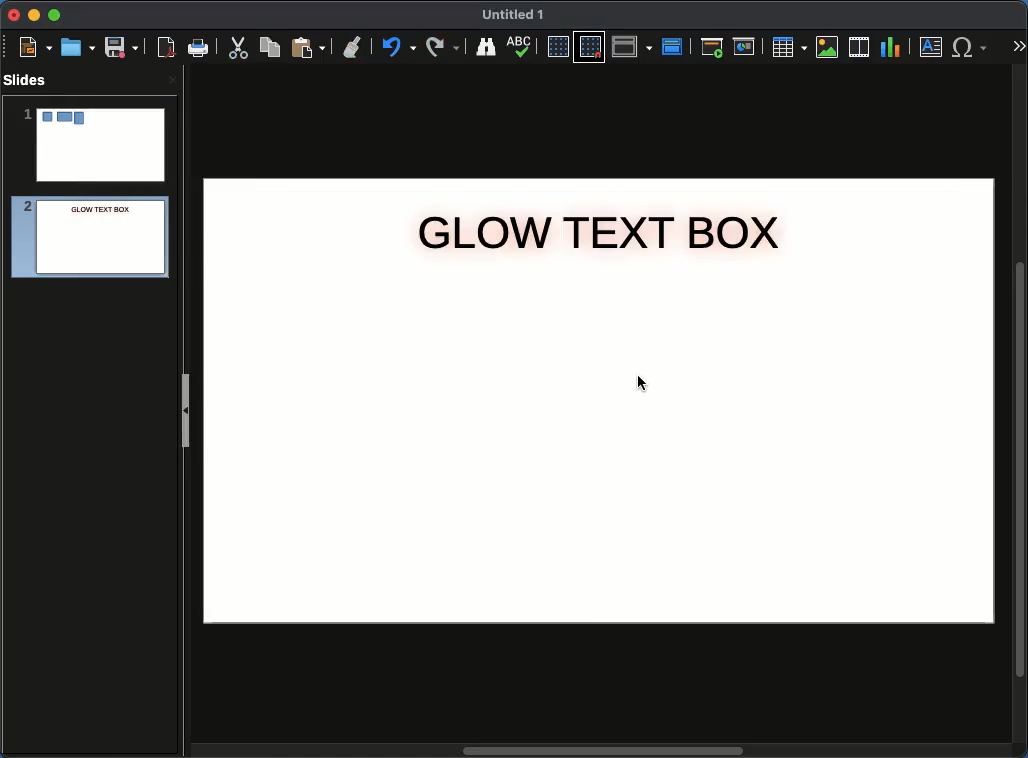  What do you see at coordinates (514, 15) in the screenshot?
I see `Name` at bounding box center [514, 15].